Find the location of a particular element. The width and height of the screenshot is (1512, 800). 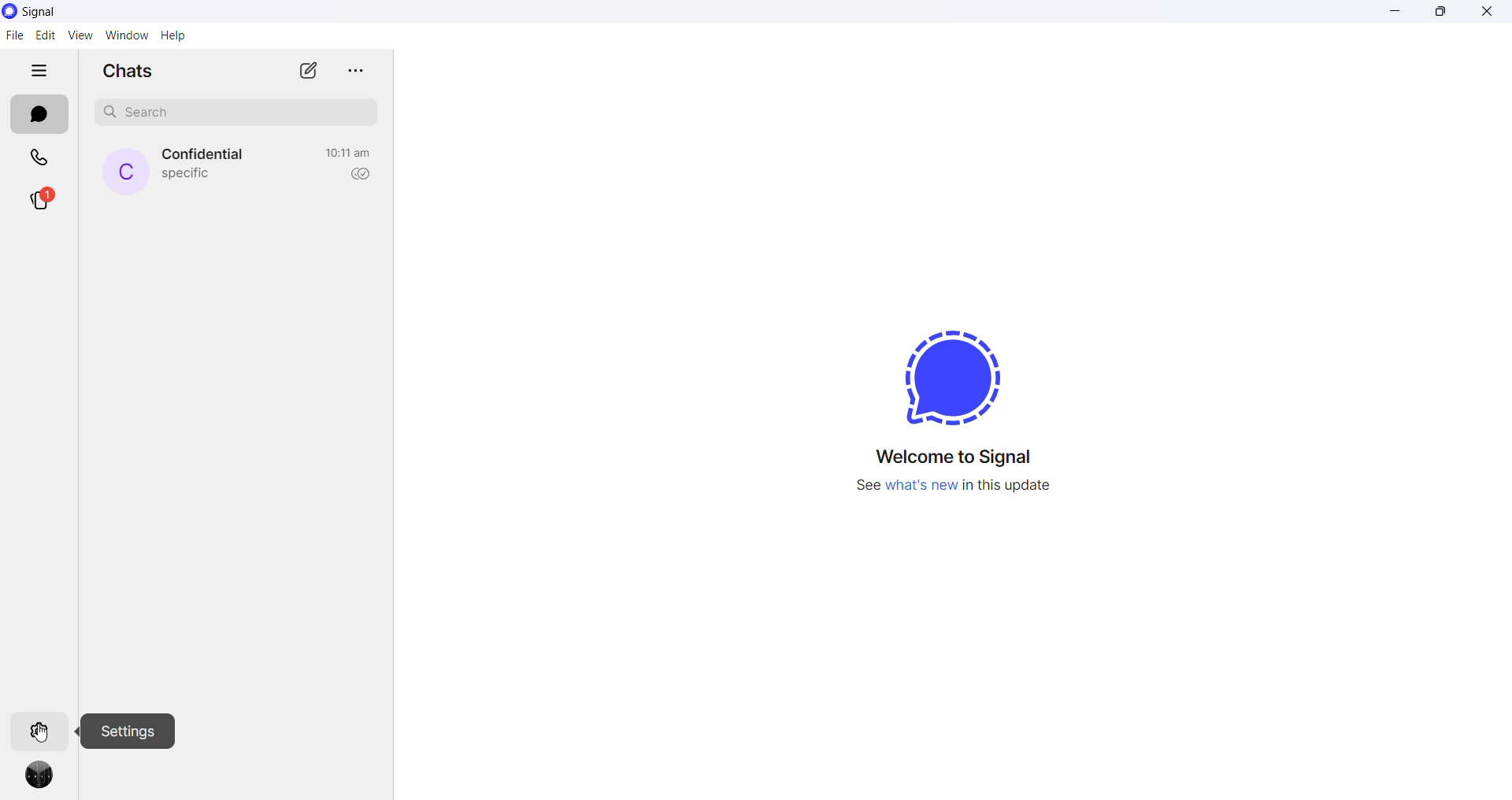

chats is located at coordinates (39, 115).